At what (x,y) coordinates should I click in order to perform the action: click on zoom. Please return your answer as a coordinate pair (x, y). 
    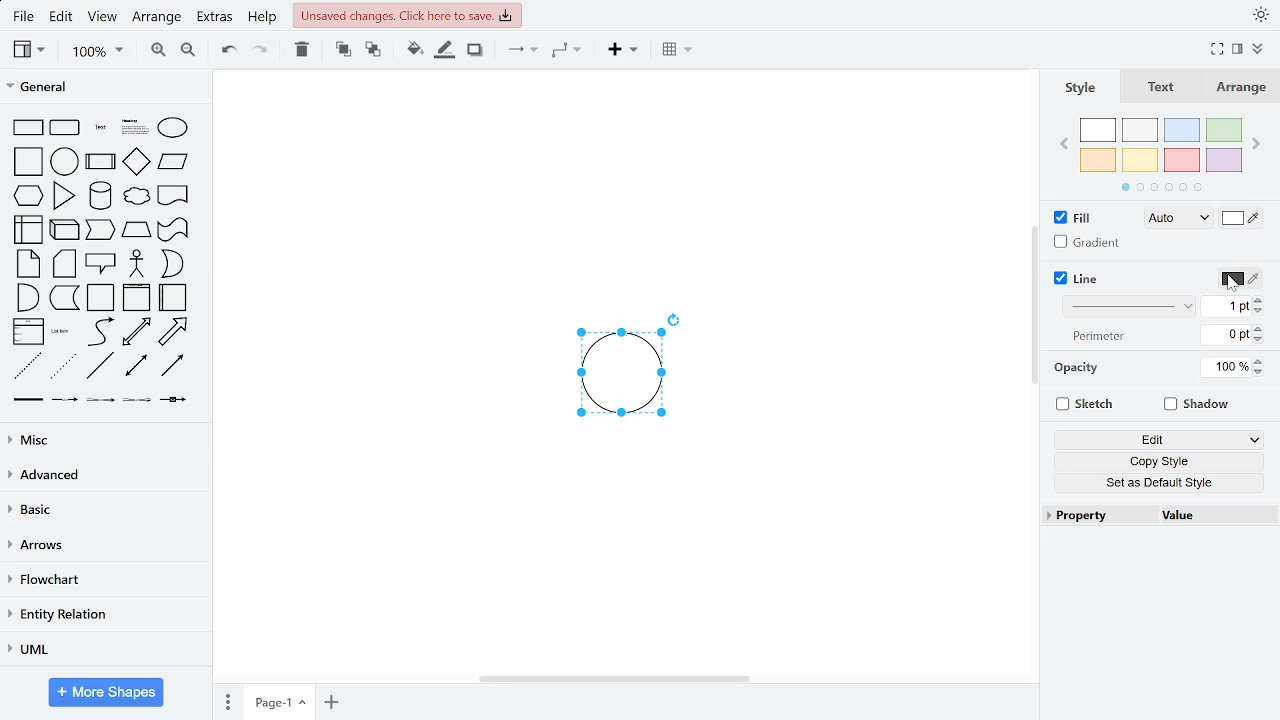
    Looking at the image, I should click on (94, 51).